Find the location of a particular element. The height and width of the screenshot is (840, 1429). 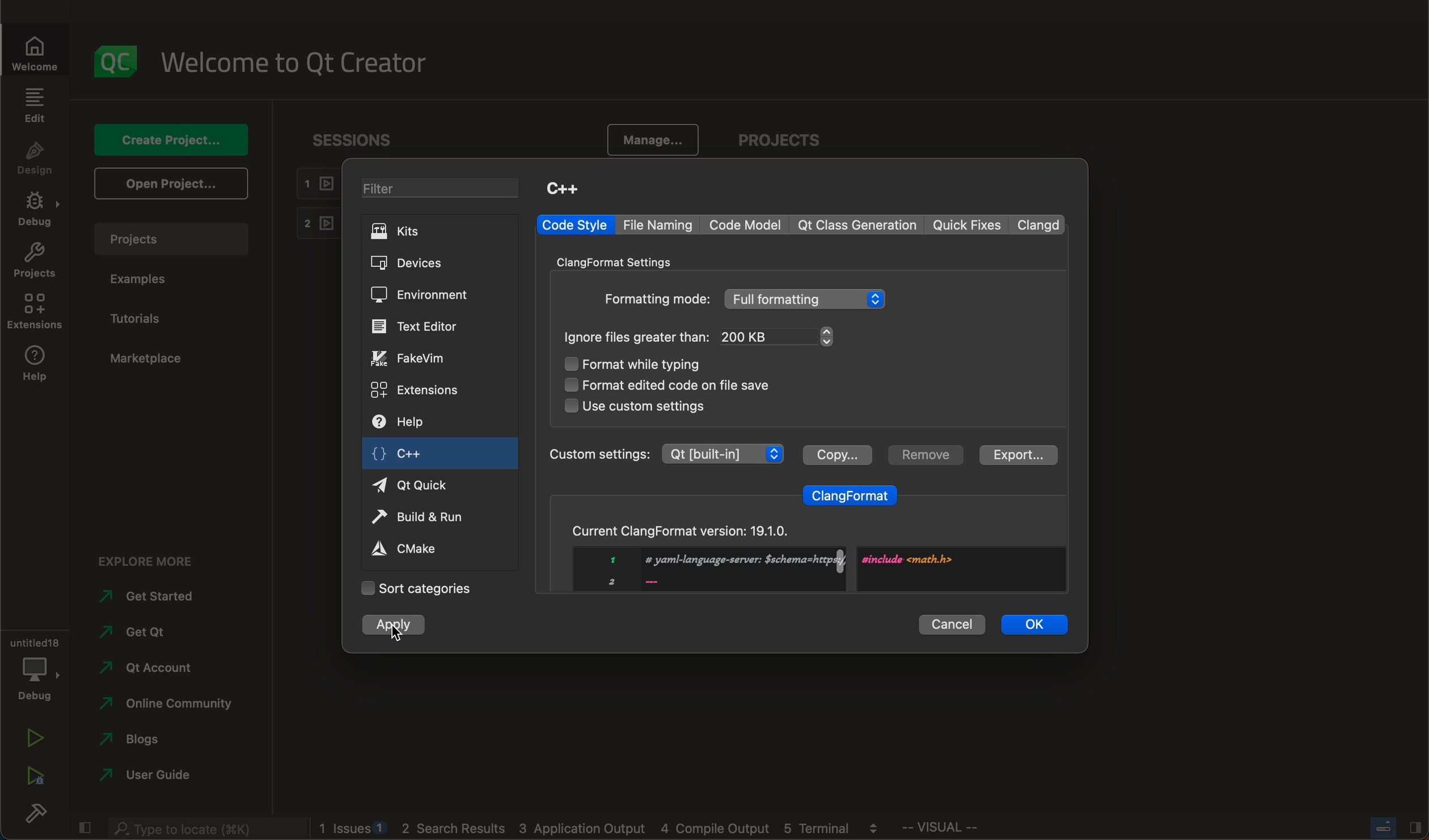

run is located at coordinates (34, 740).